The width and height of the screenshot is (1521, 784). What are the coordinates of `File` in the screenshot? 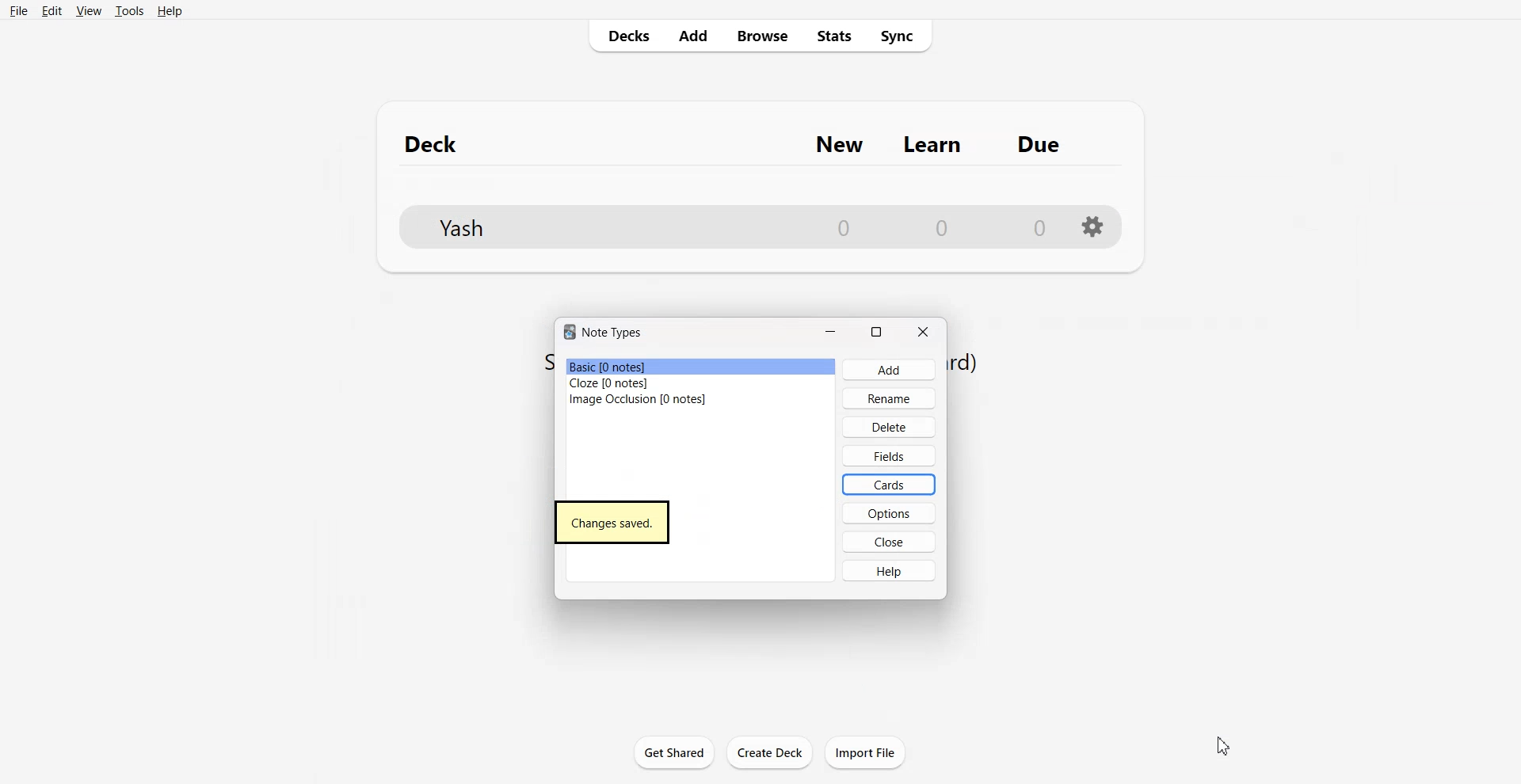 It's located at (18, 10).